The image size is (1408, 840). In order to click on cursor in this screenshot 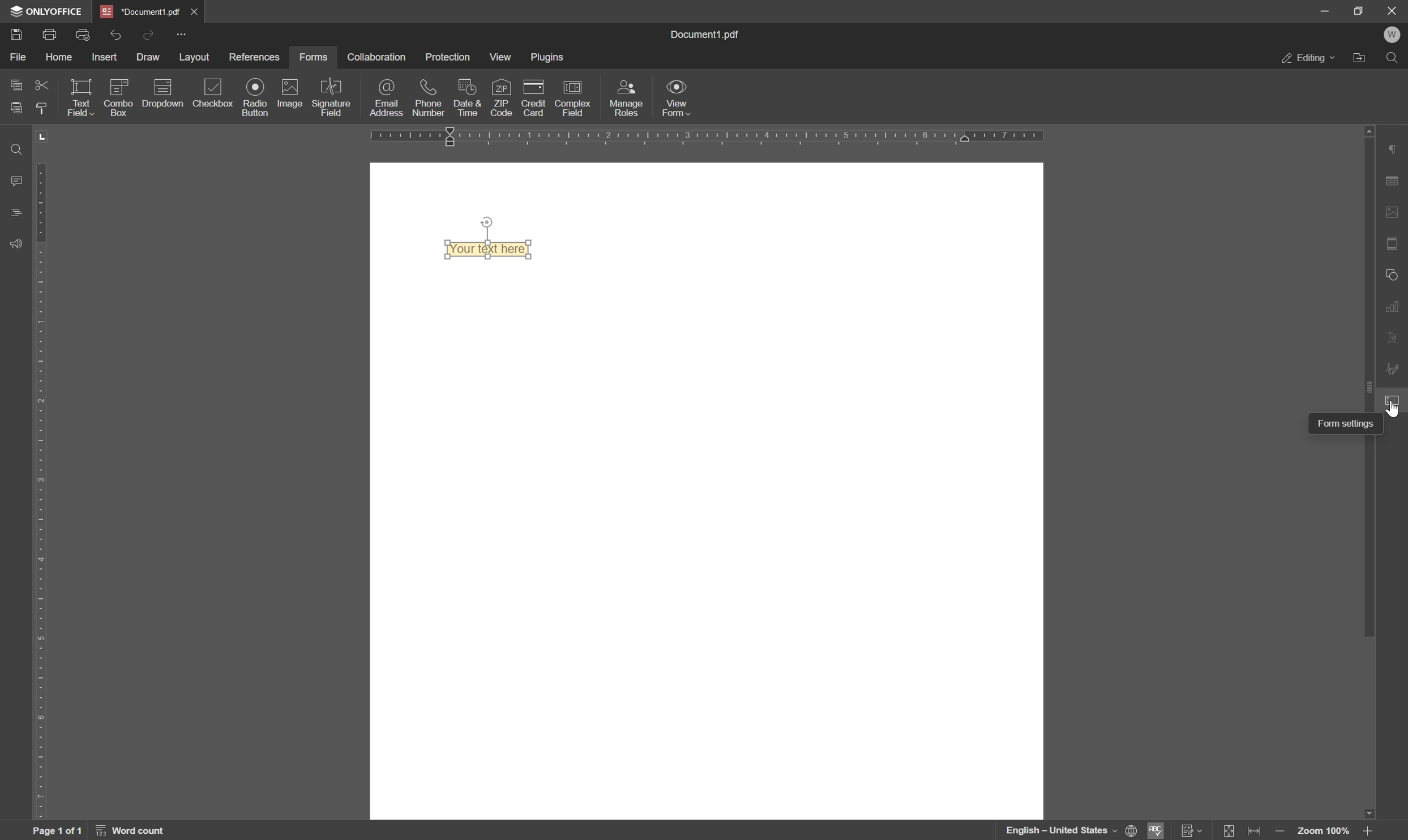, I will do `click(1393, 411)`.